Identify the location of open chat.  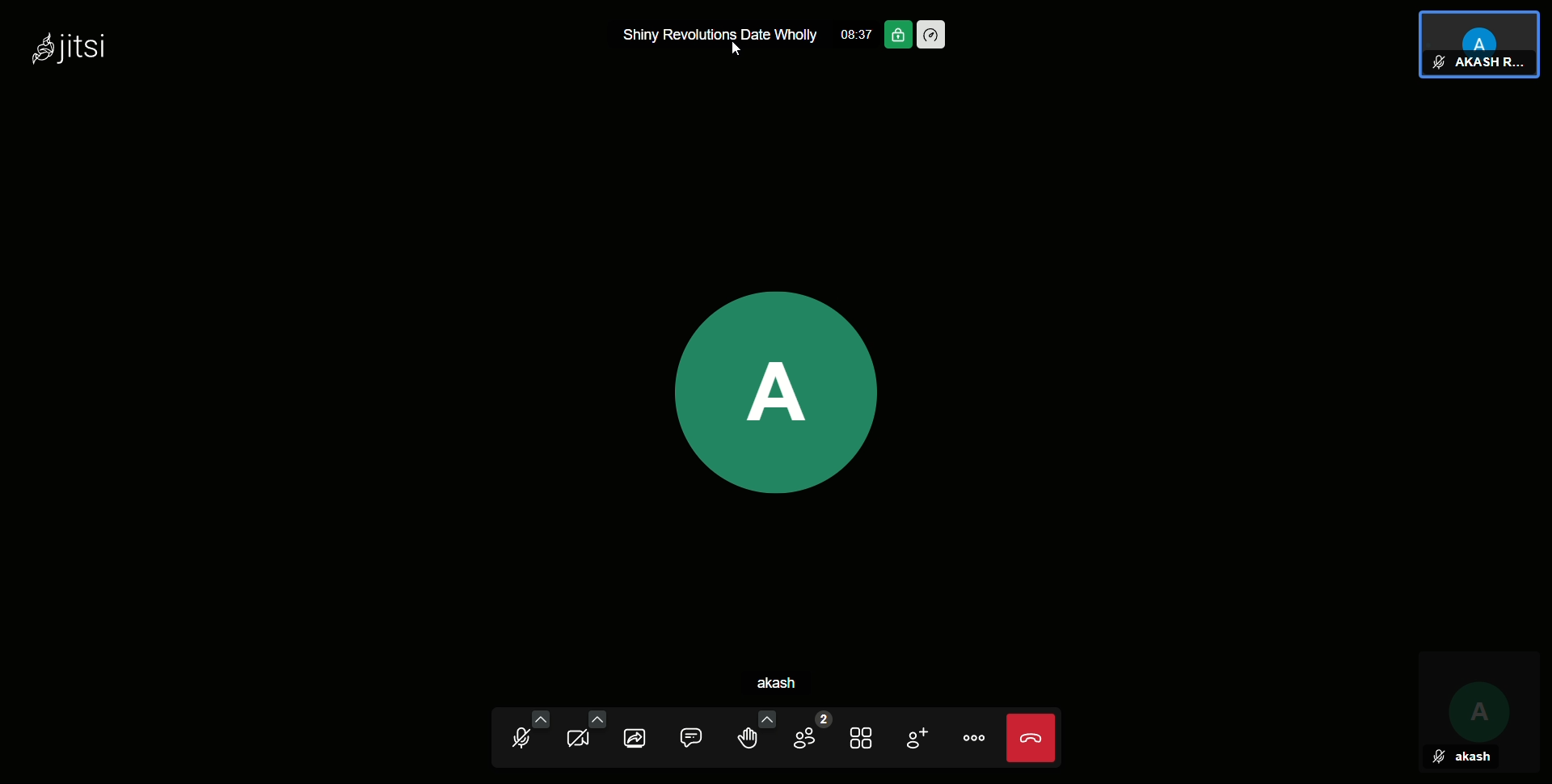
(700, 736).